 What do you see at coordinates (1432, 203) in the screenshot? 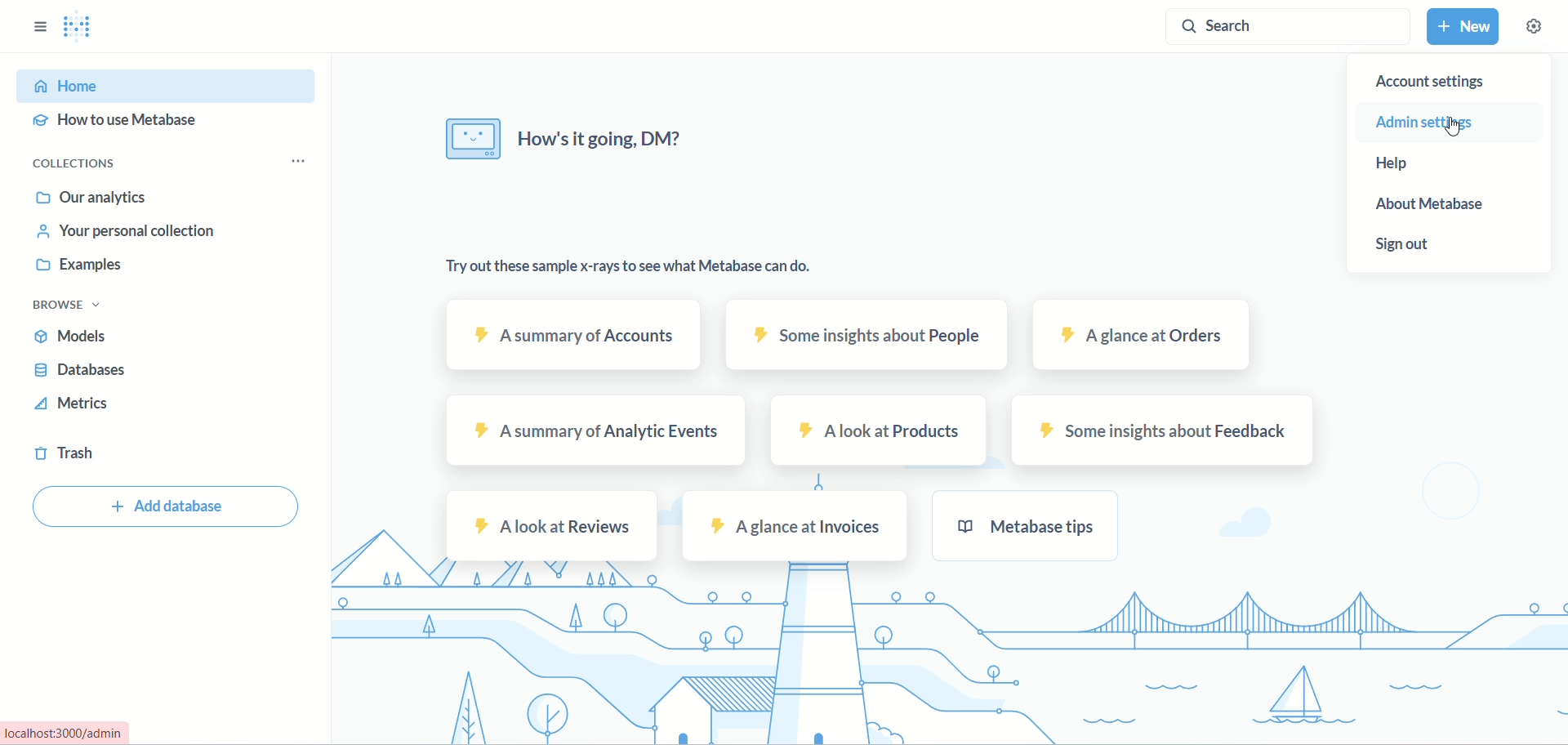
I see `about metabase` at bounding box center [1432, 203].